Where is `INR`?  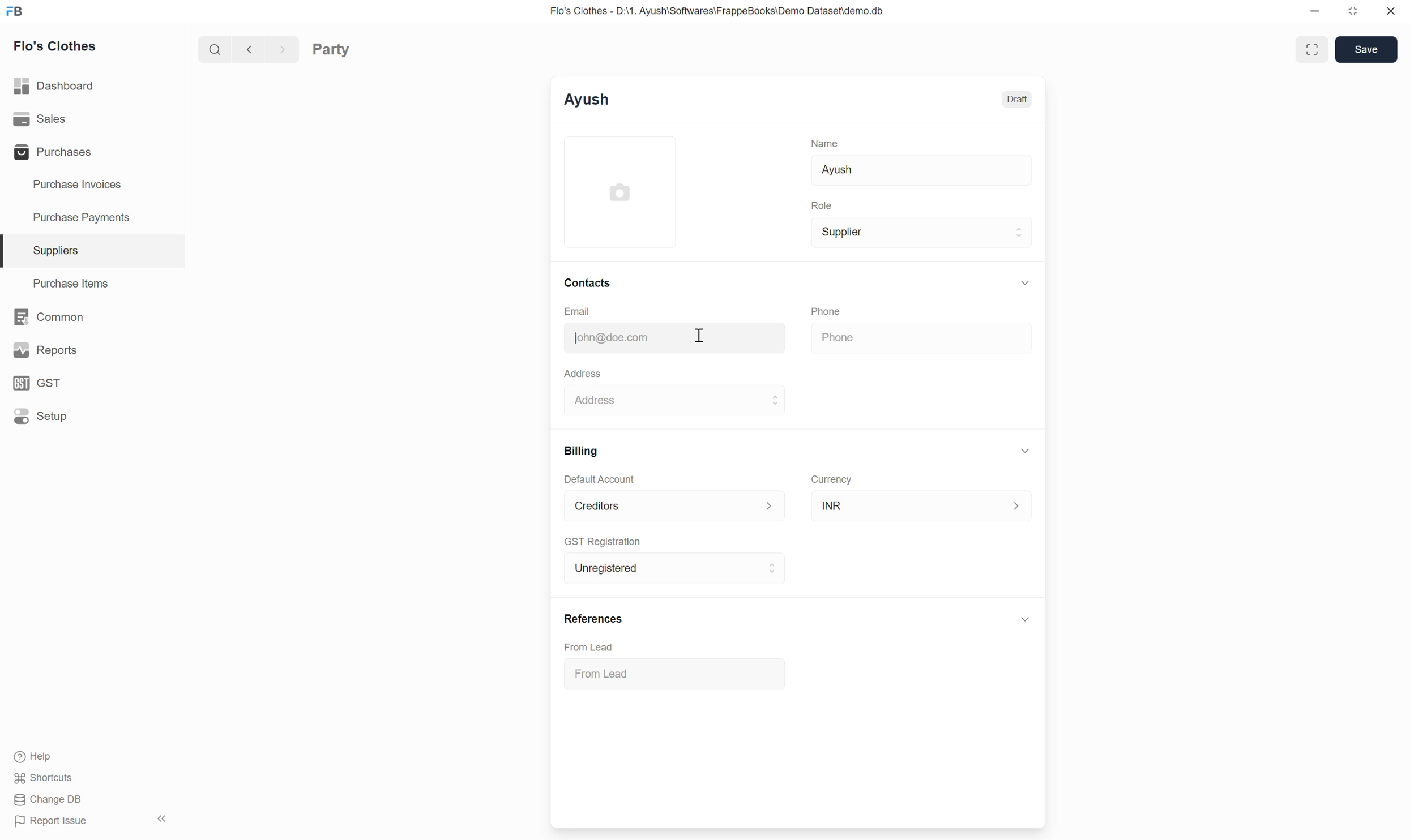 INR is located at coordinates (922, 505).